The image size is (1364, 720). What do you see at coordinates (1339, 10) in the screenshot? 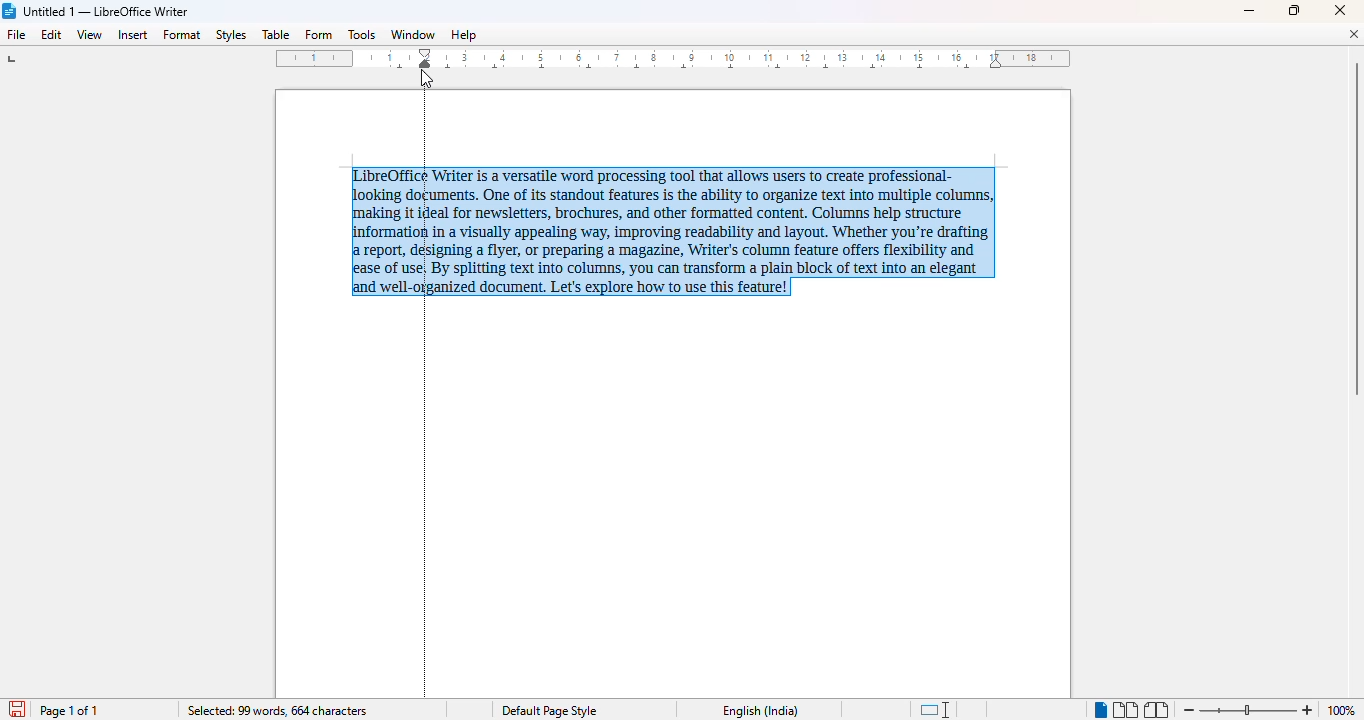
I see `close` at bounding box center [1339, 10].